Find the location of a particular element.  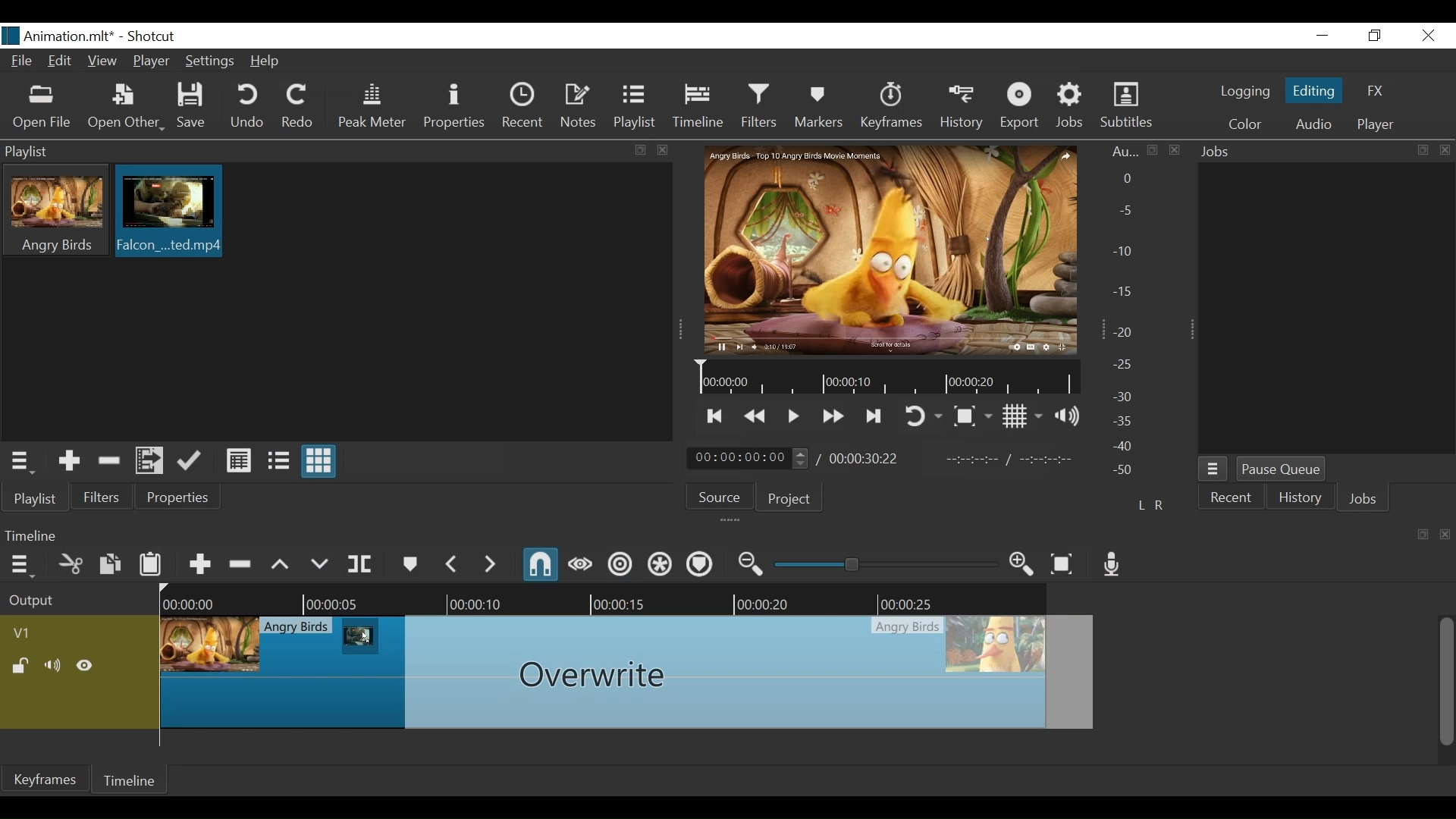

Shotcut is located at coordinates (156, 37).